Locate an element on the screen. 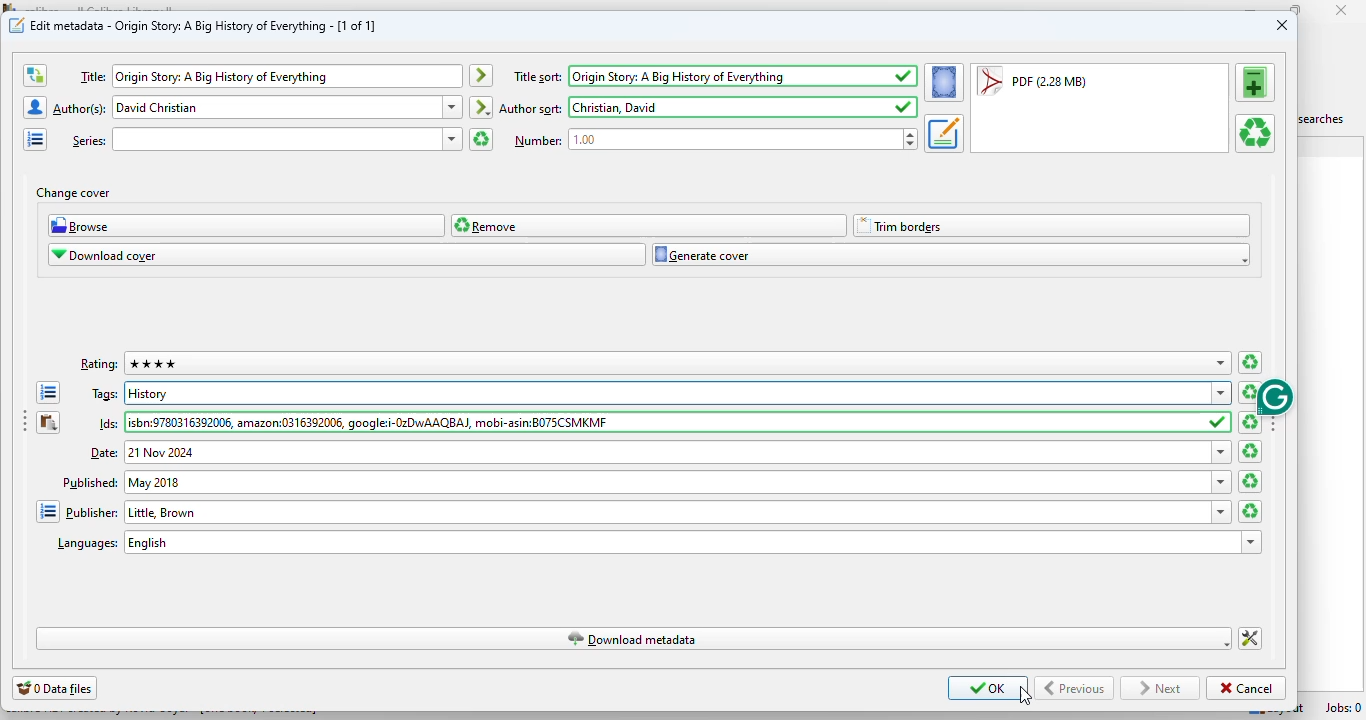 Image resolution: width=1366 pixels, height=720 pixels. text is located at coordinates (87, 544).